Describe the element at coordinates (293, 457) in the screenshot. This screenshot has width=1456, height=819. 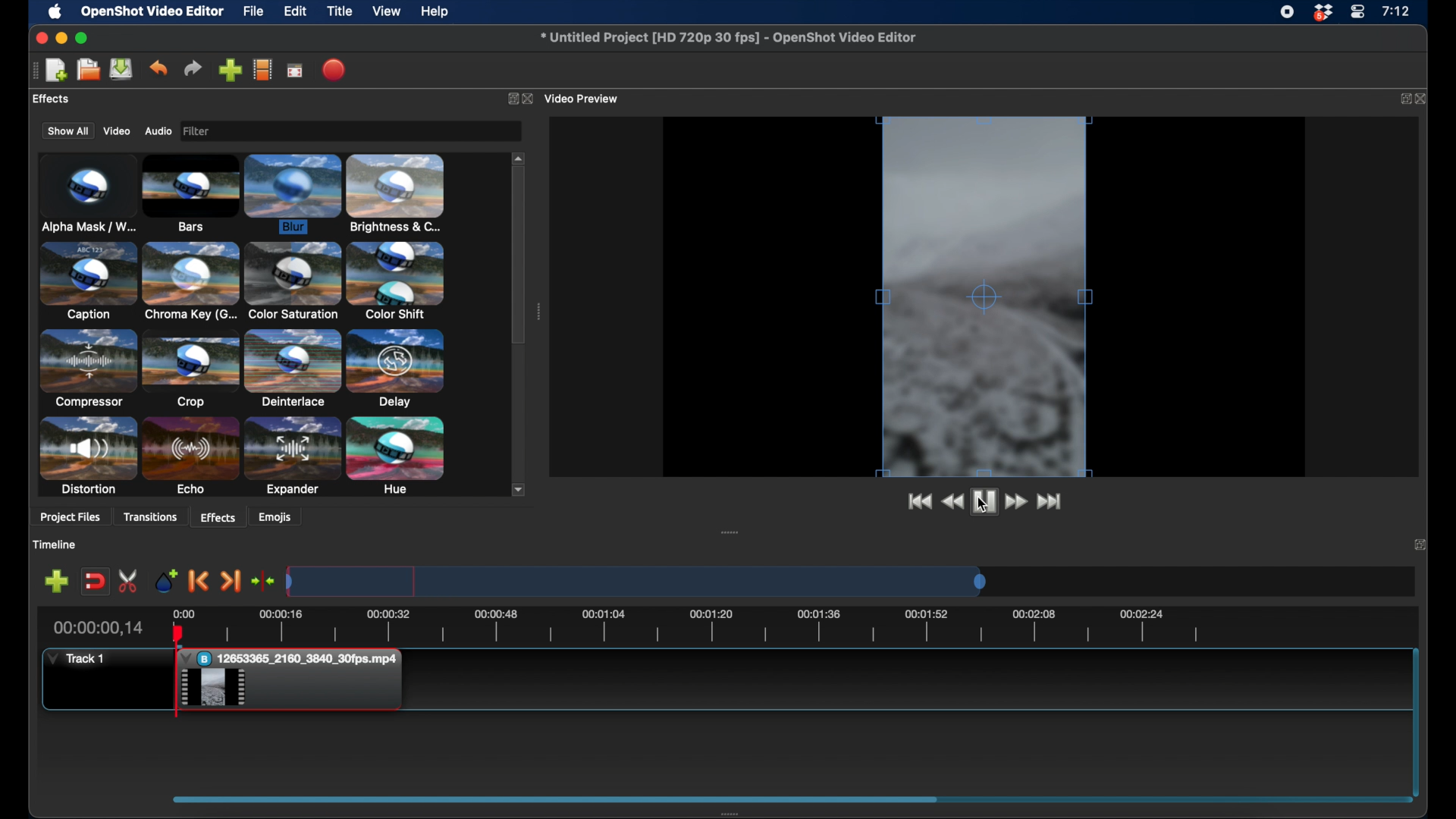
I see `expander` at that location.